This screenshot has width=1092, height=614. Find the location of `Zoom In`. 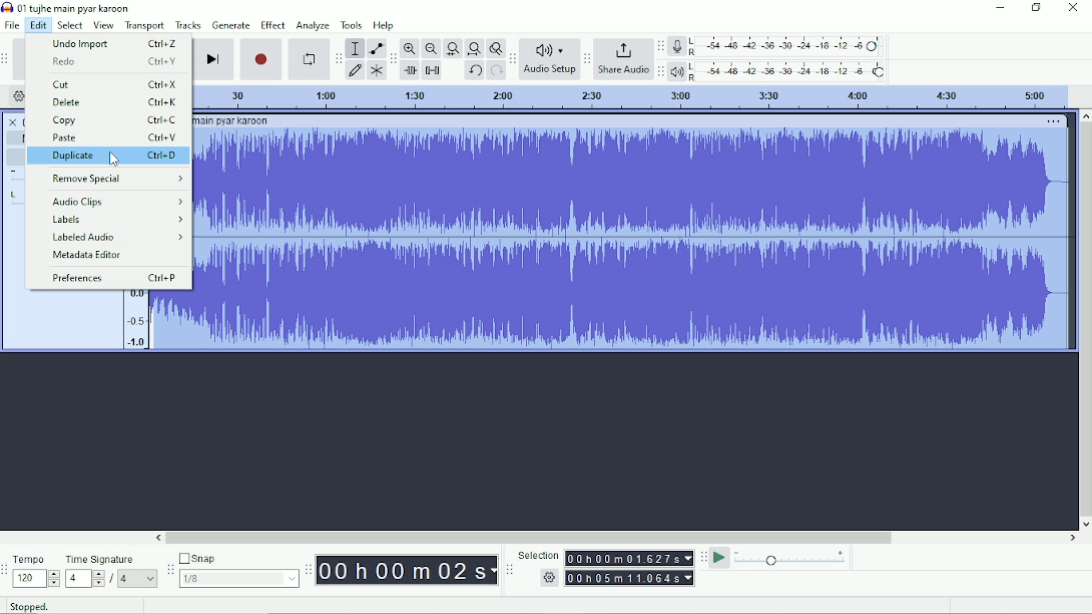

Zoom In is located at coordinates (410, 48).